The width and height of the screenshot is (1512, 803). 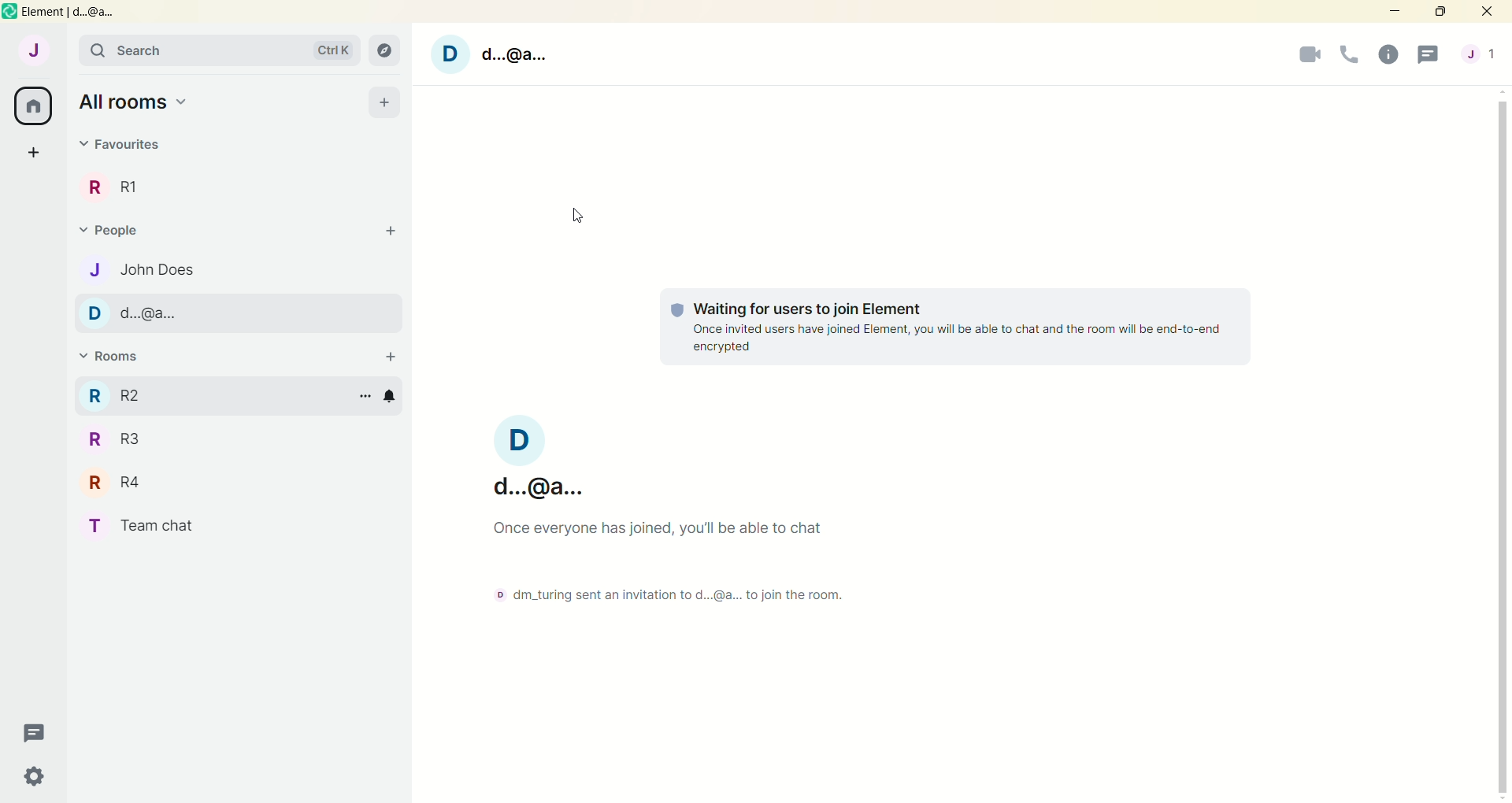 I want to click on R R3, so click(x=118, y=445).